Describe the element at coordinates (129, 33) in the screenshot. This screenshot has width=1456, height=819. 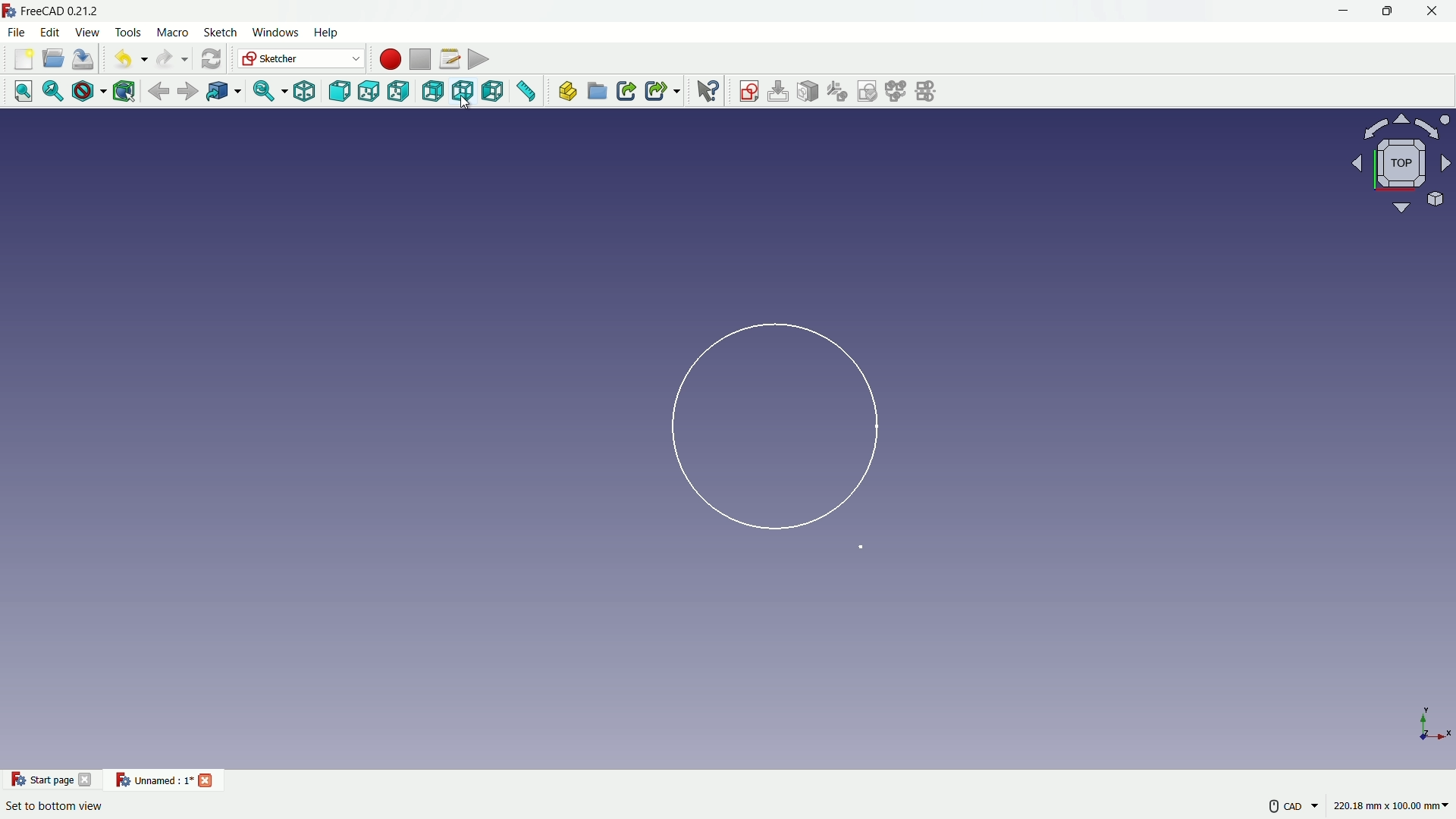
I see `tools menu` at that location.